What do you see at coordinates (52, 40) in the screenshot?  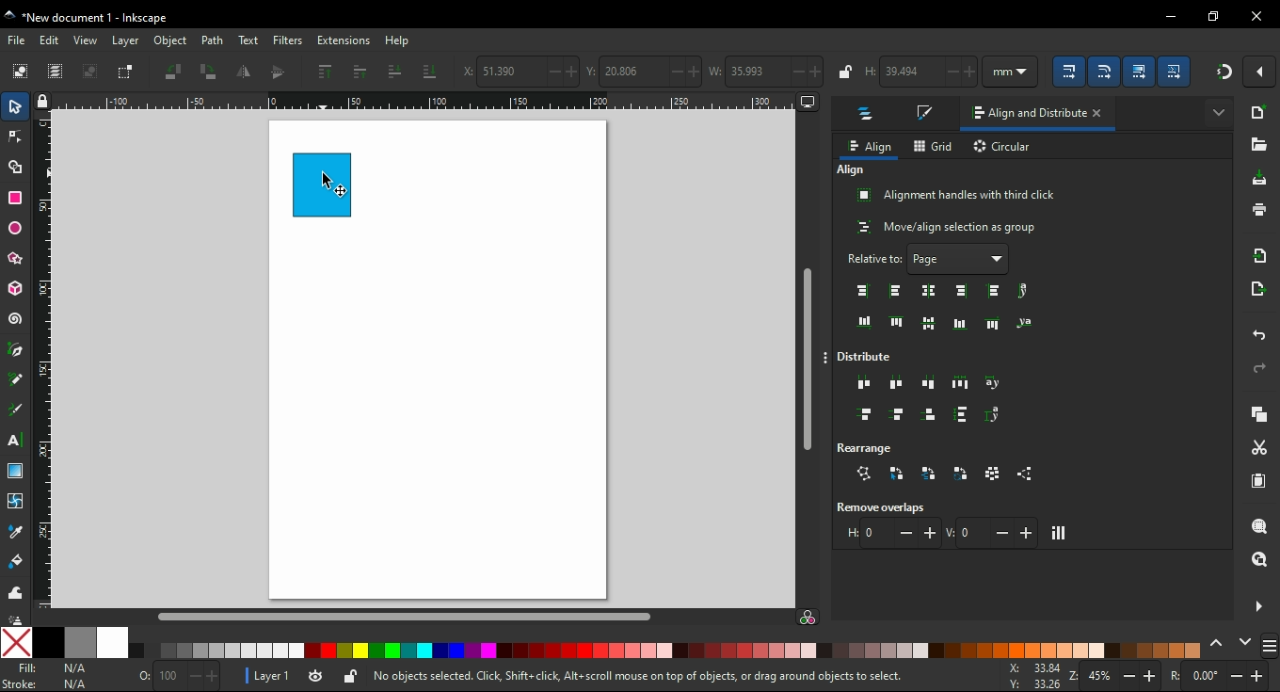 I see `edit` at bounding box center [52, 40].